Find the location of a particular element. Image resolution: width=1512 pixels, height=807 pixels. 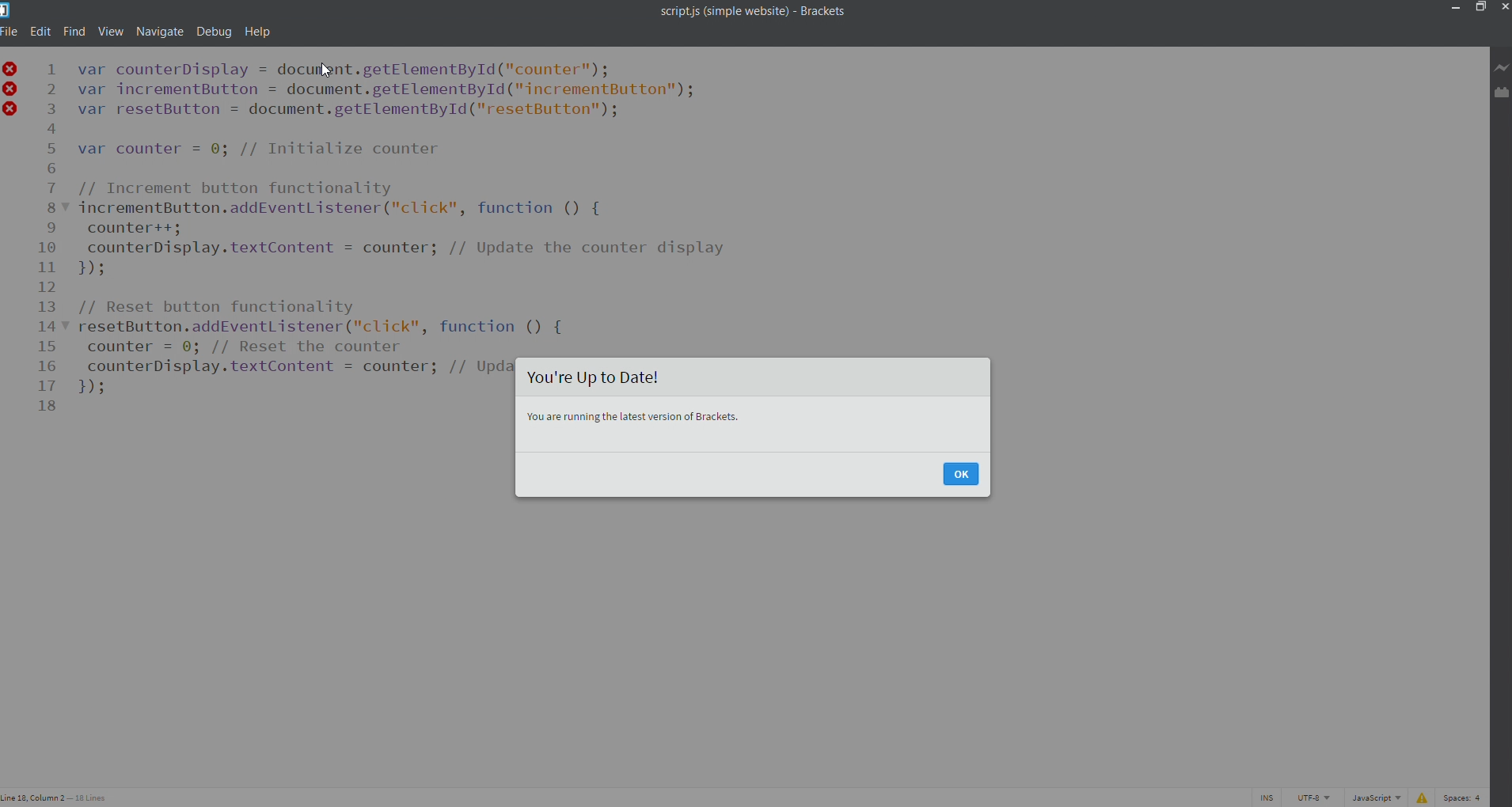

keyboard cursor position is located at coordinates (59, 798).